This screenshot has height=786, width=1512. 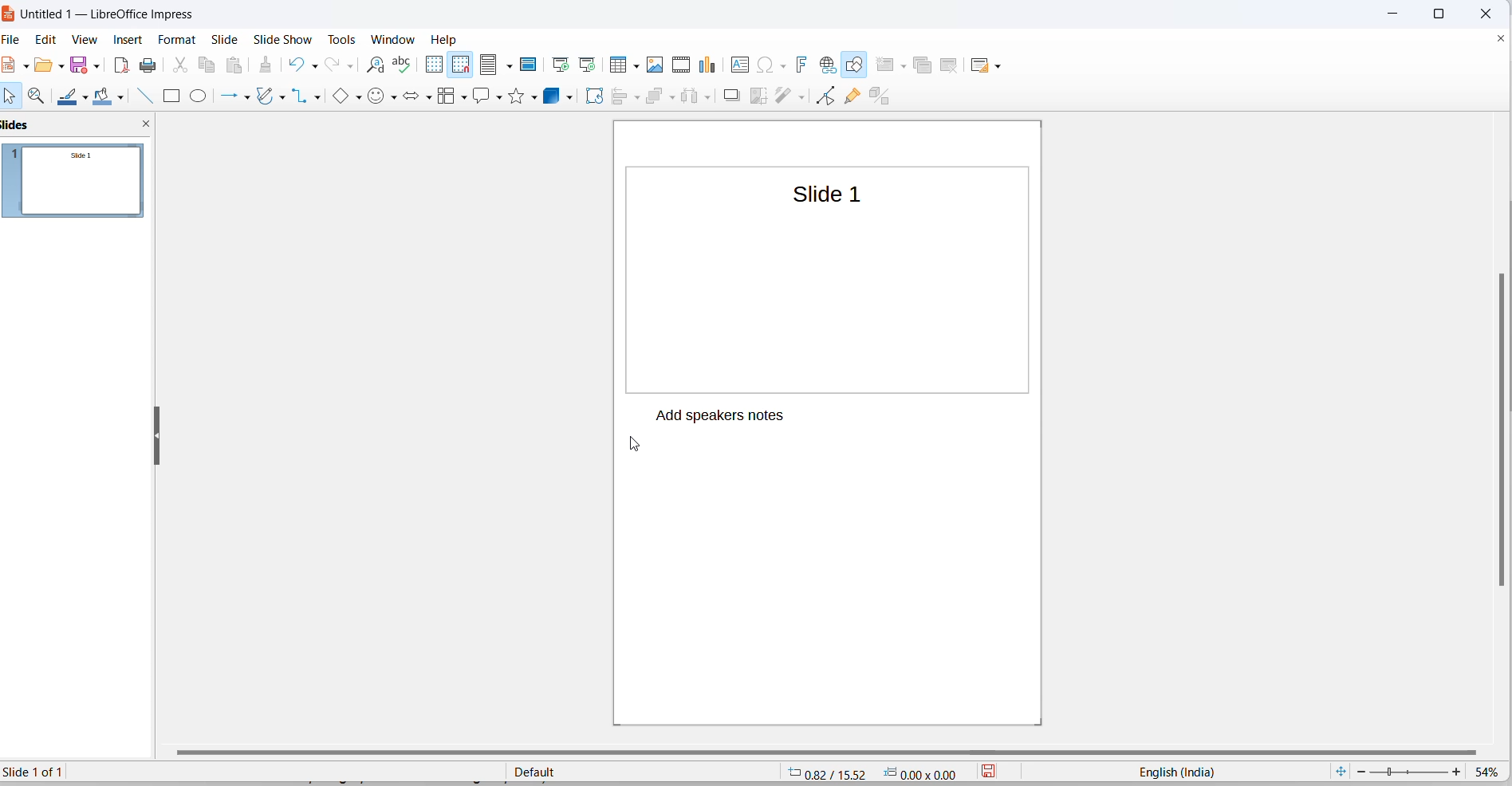 I want to click on redo , so click(x=333, y=65).